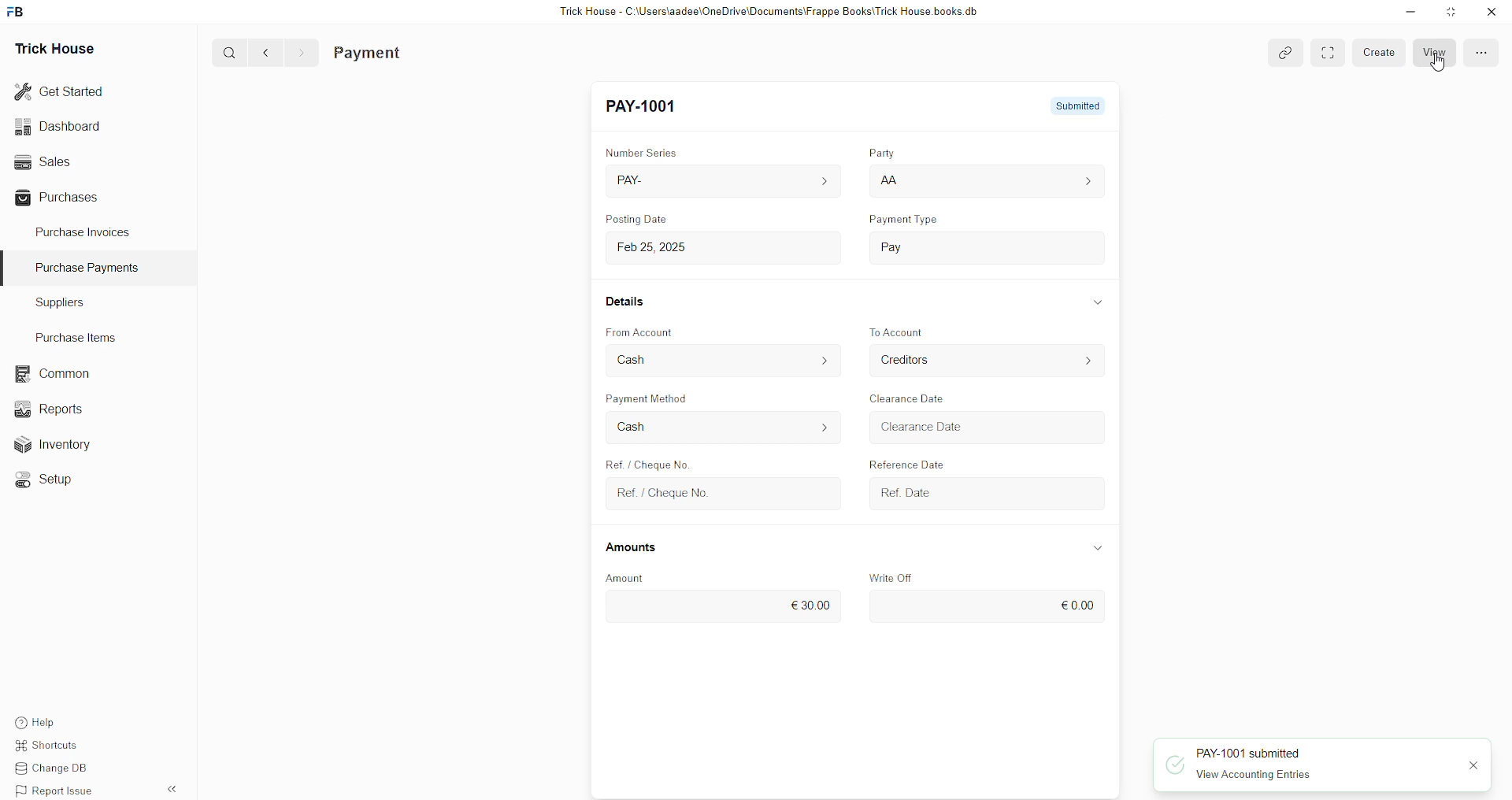 The width and height of the screenshot is (1512, 800). What do you see at coordinates (1382, 52) in the screenshot?
I see `create` at bounding box center [1382, 52].